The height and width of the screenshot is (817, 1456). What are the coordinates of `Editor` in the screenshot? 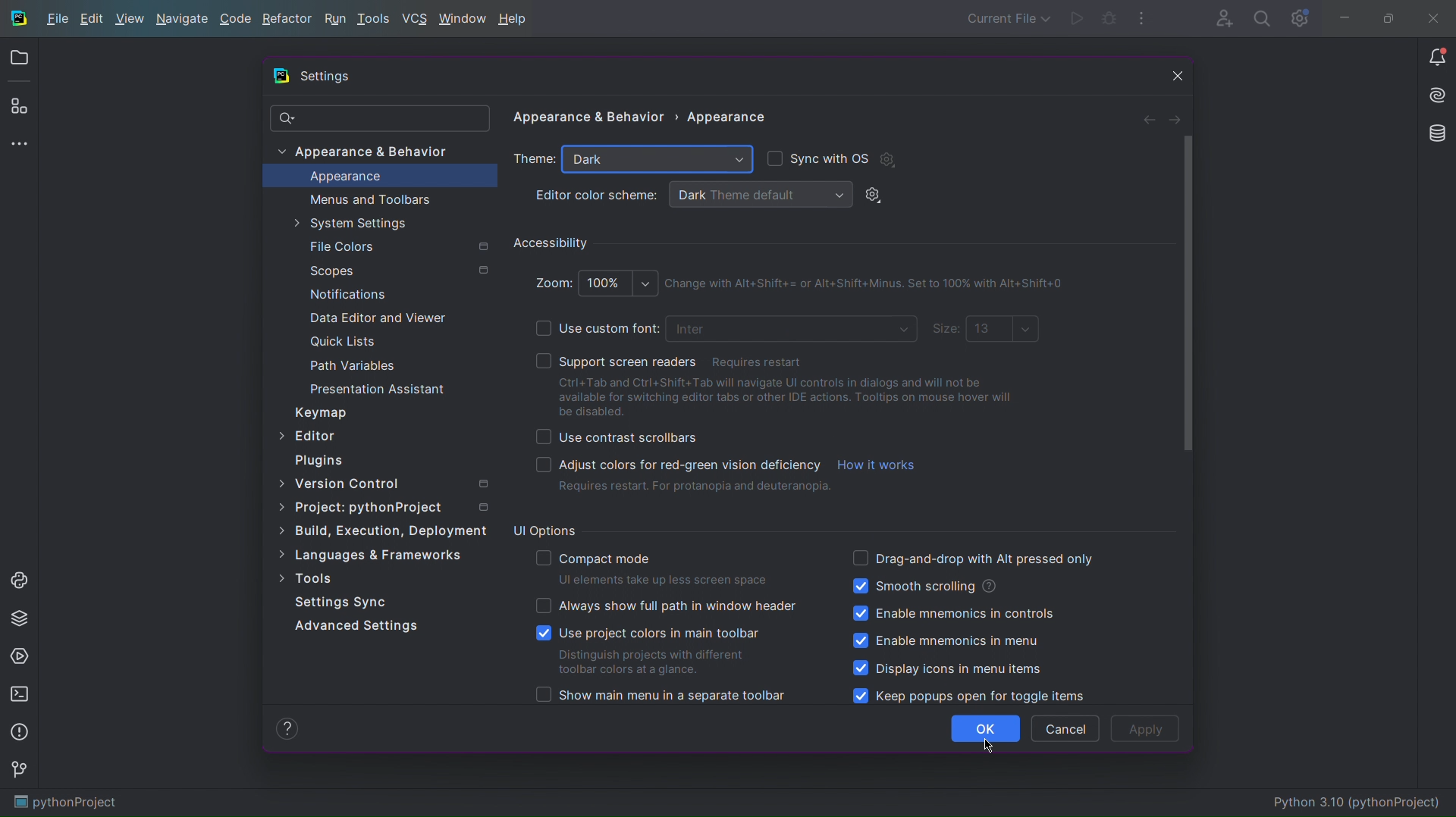 It's located at (308, 434).